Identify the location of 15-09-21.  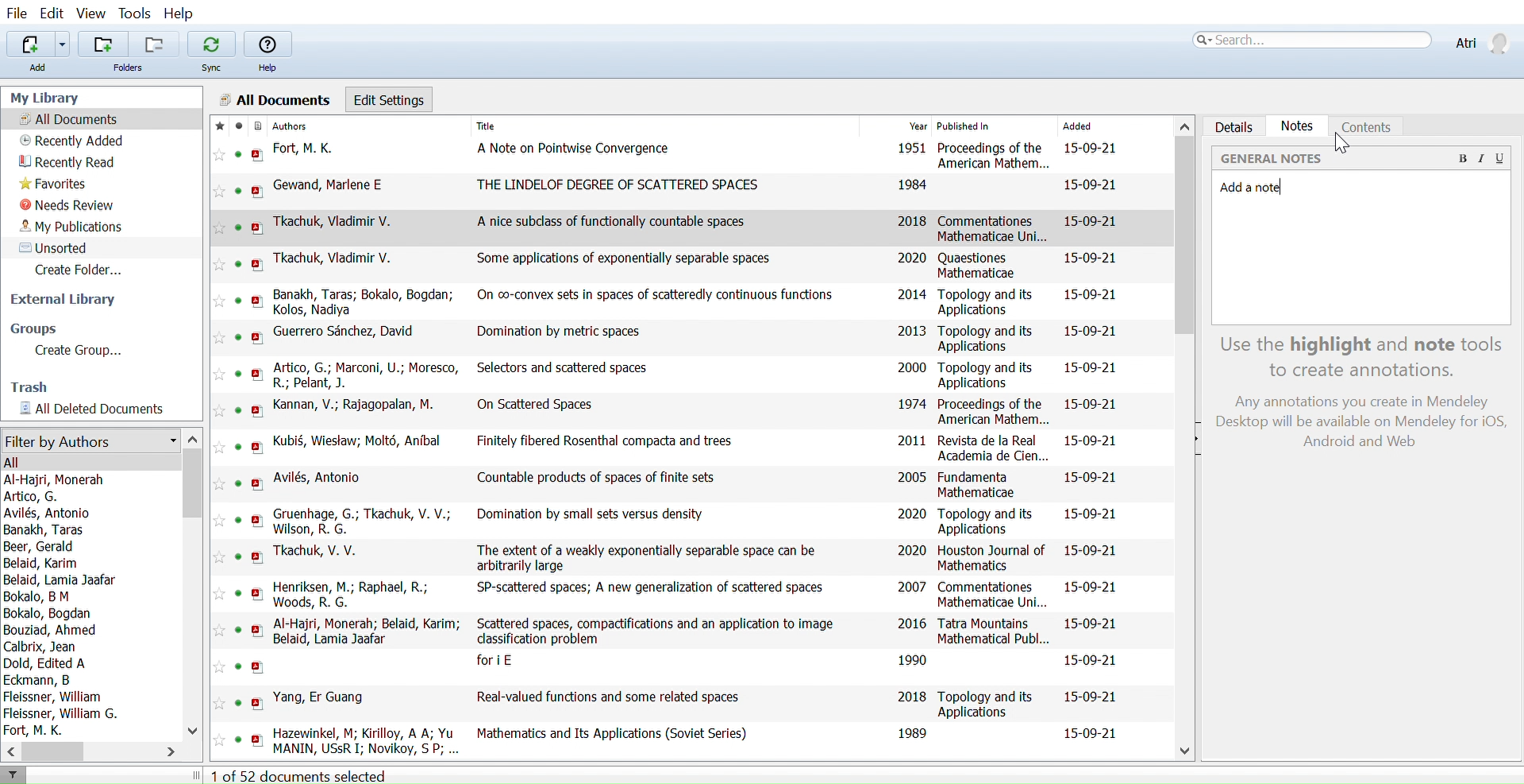
(1090, 478).